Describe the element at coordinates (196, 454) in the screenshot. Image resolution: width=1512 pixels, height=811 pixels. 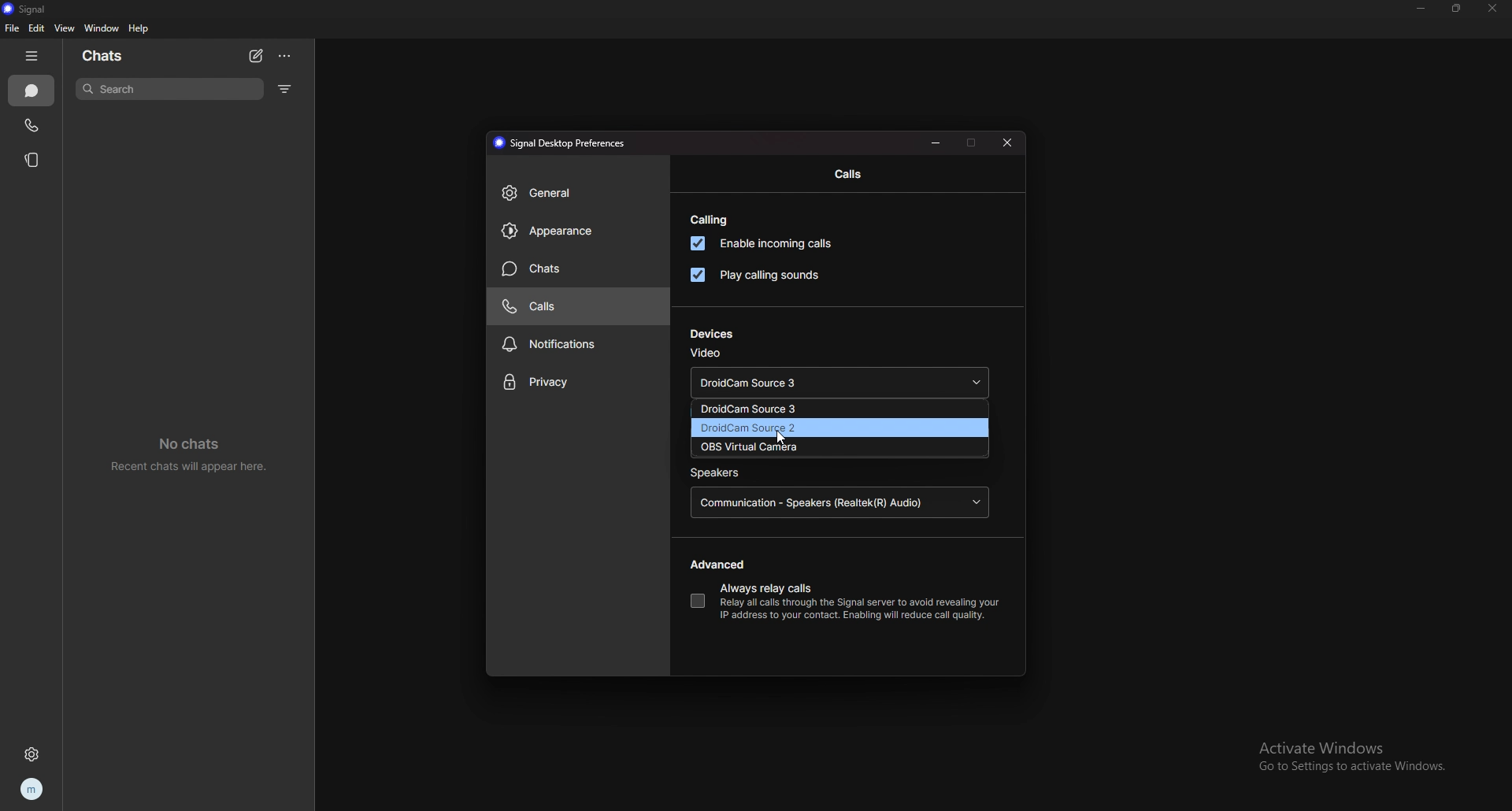
I see `no chats` at that location.